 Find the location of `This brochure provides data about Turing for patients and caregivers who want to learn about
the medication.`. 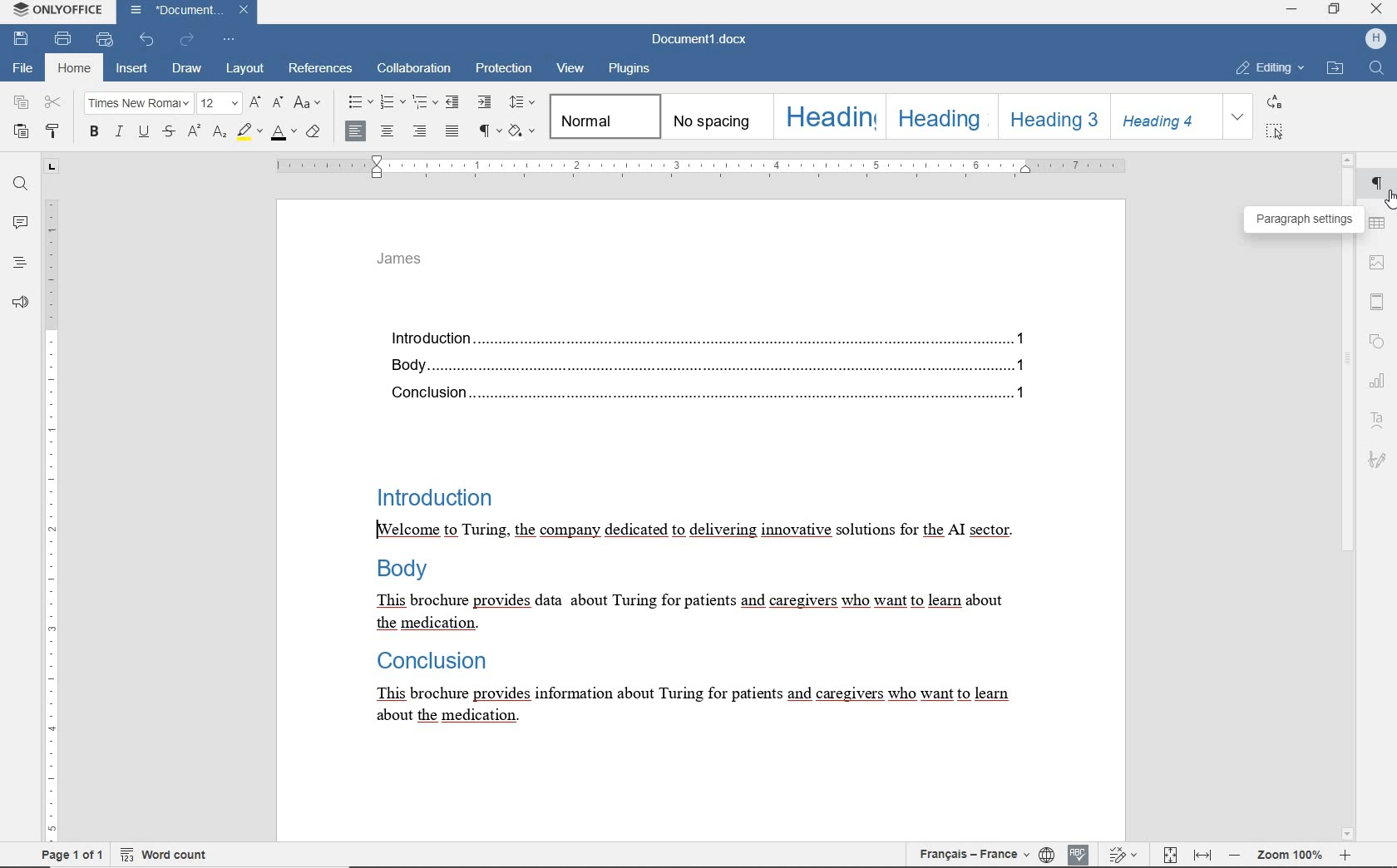

This brochure provides data about Turing for patients and caregivers who want to learn about
the medication. is located at coordinates (685, 611).